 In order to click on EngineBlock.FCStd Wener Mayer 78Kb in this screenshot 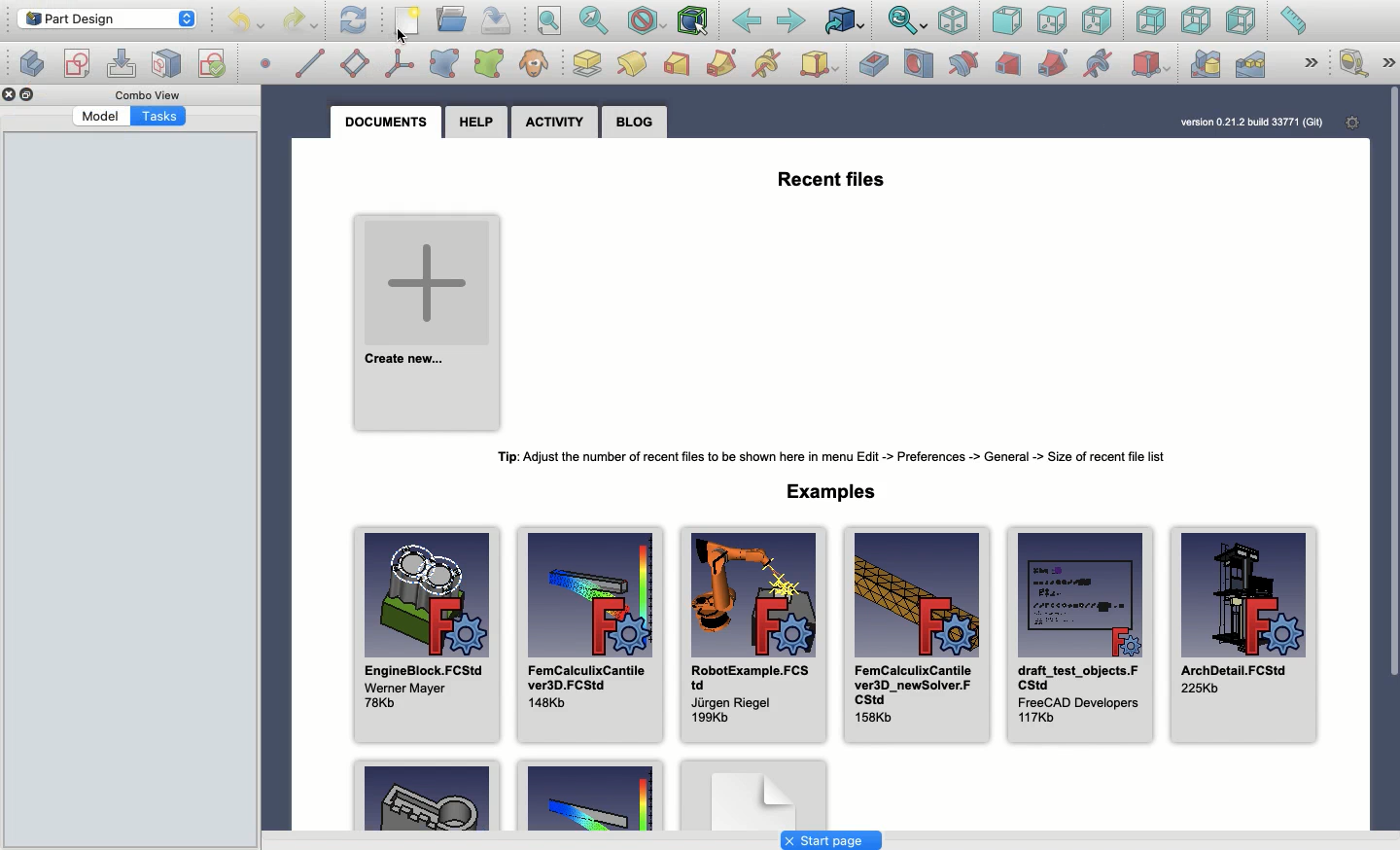, I will do `click(426, 635)`.